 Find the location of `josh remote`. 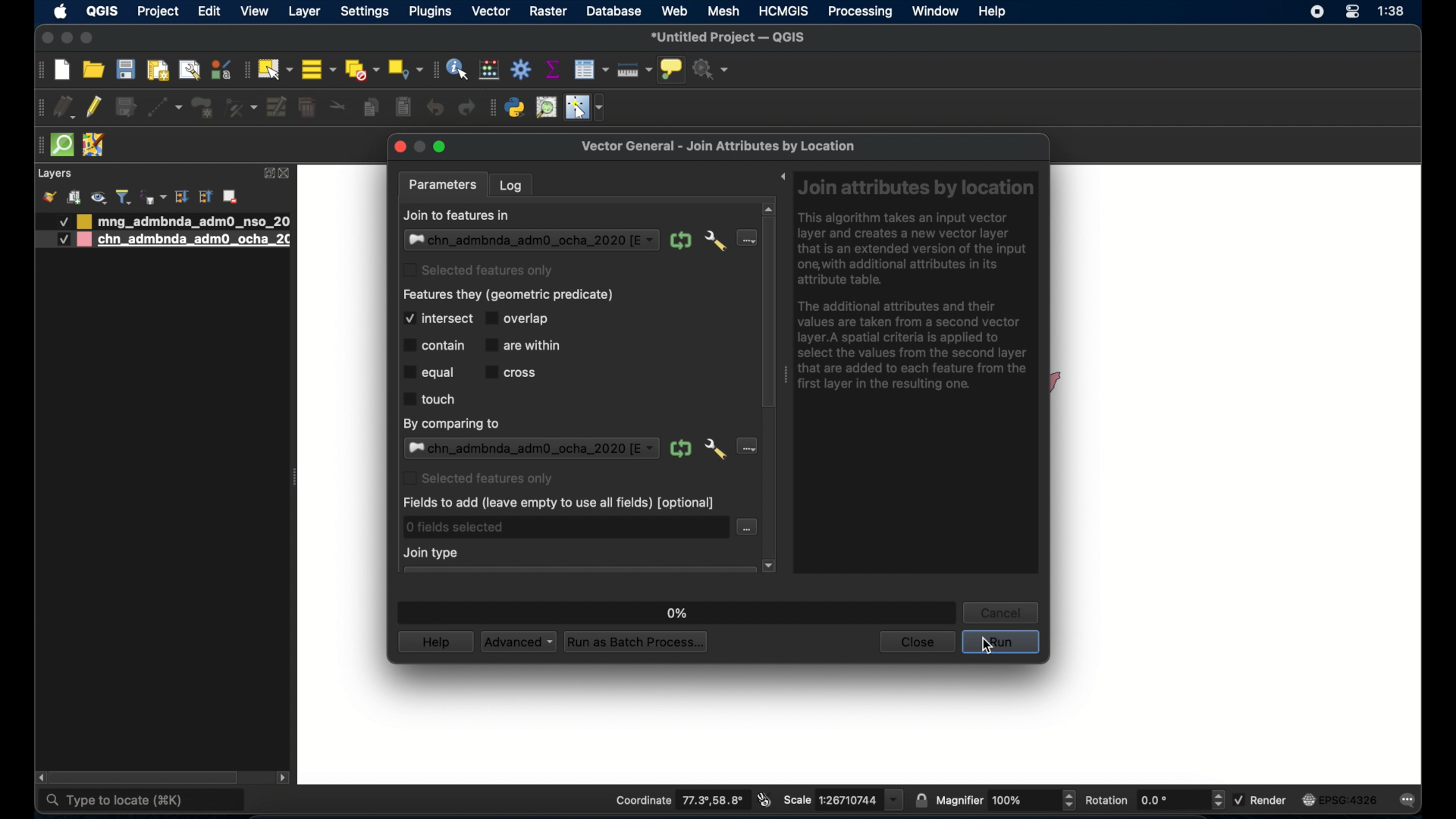

josh remote is located at coordinates (95, 146).